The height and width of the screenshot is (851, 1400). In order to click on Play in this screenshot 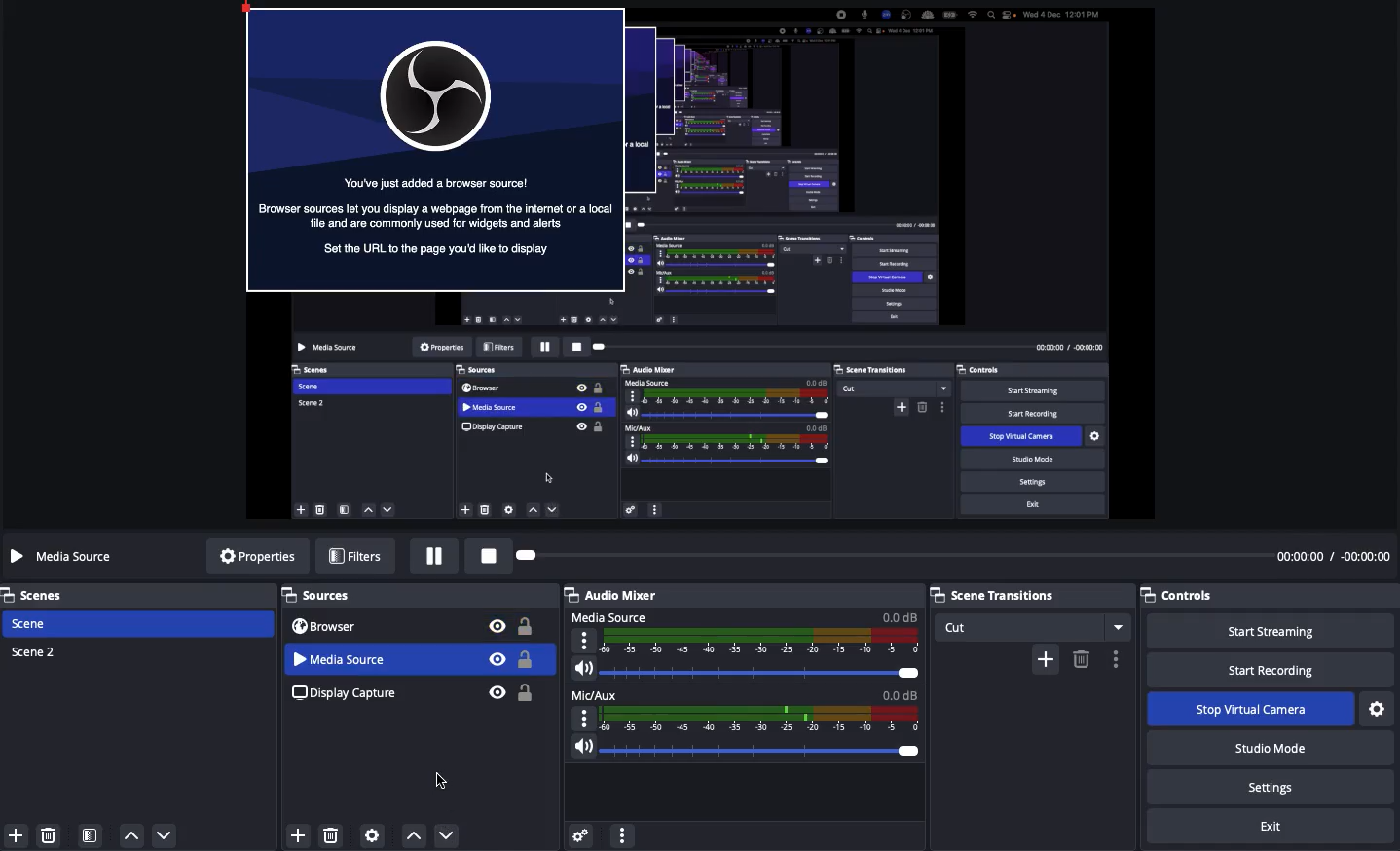, I will do `click(885, 556)`.